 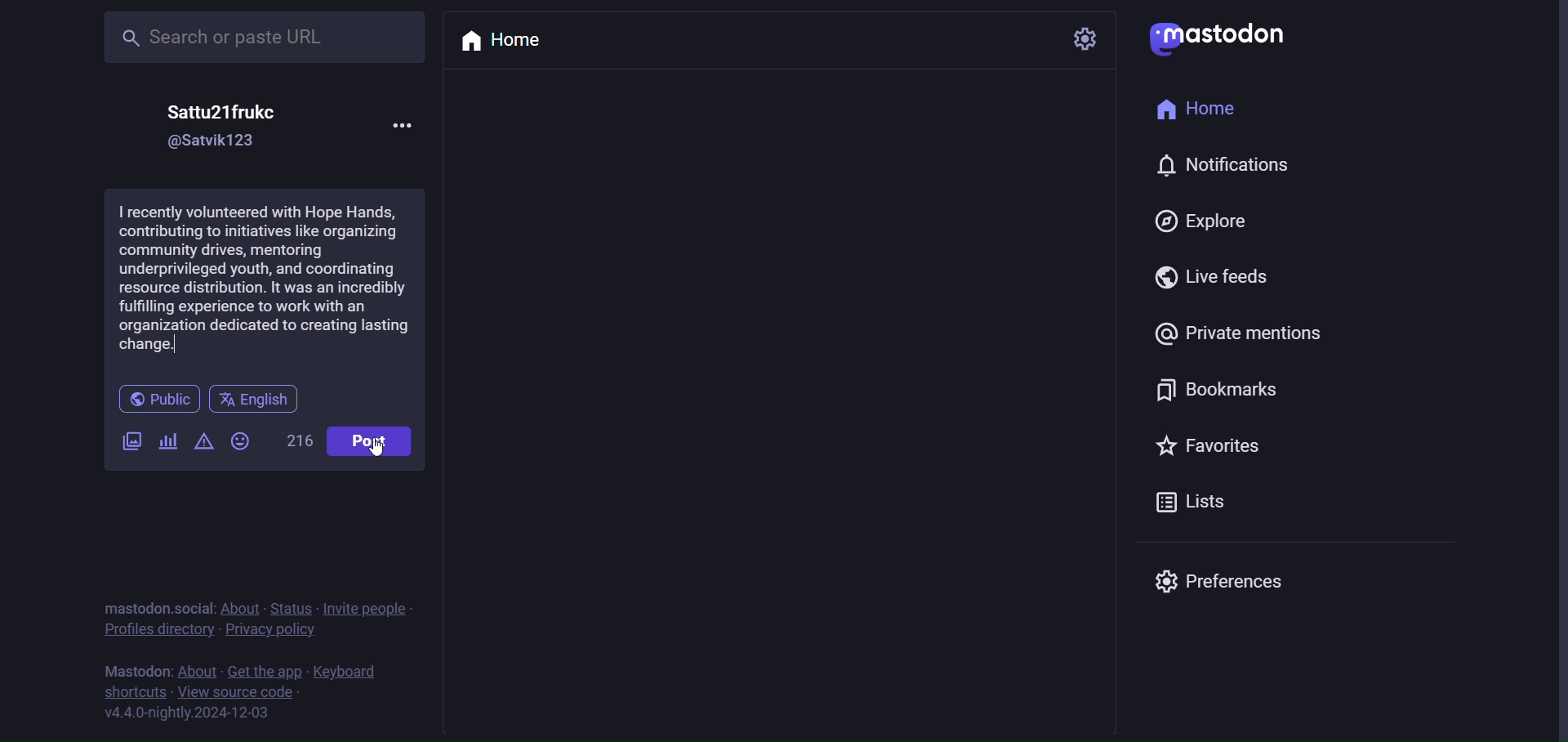 I want to click on bookmark, so click(x=1205, y=391).